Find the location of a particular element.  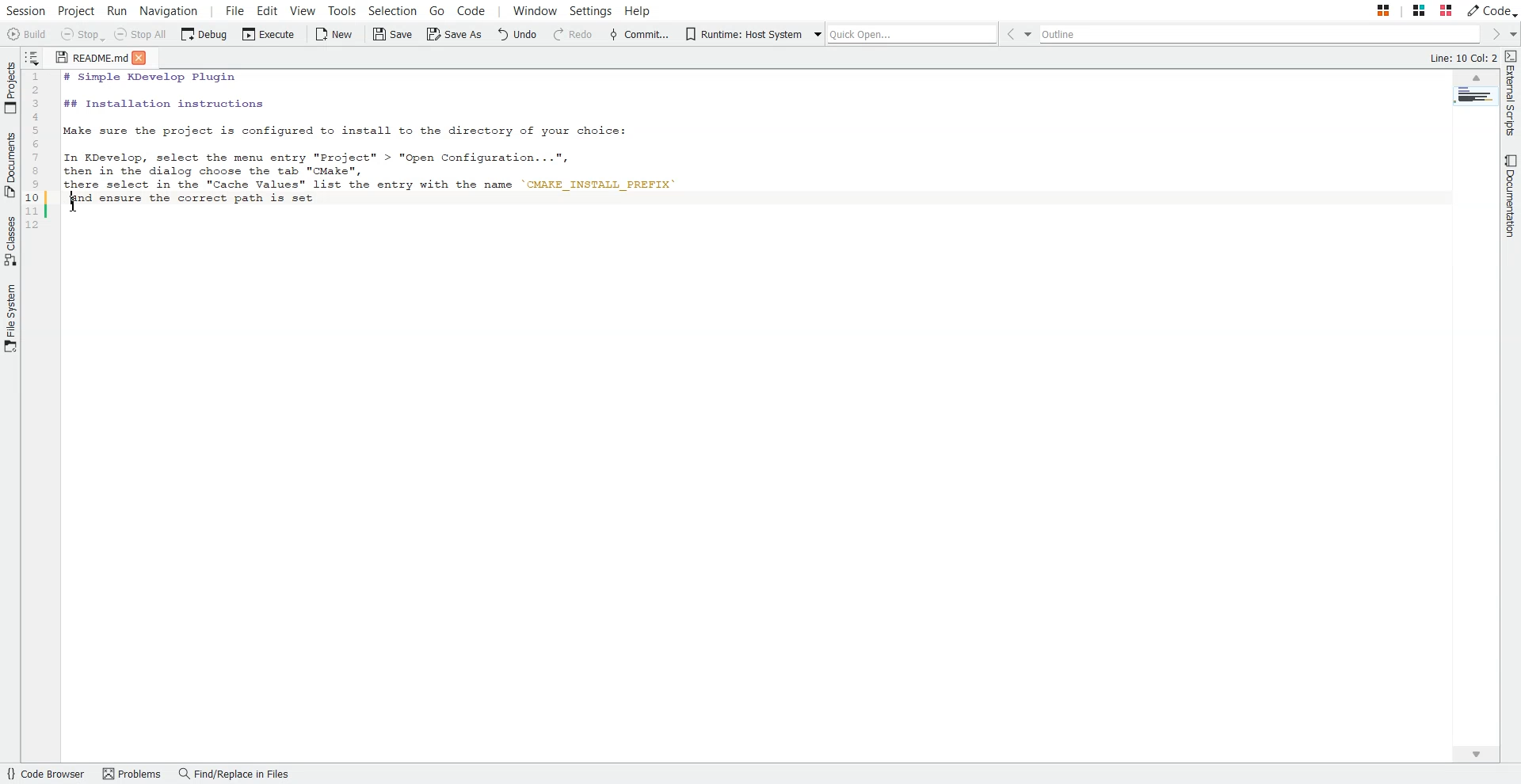

Documentation is located at coordinates (1511, 196).